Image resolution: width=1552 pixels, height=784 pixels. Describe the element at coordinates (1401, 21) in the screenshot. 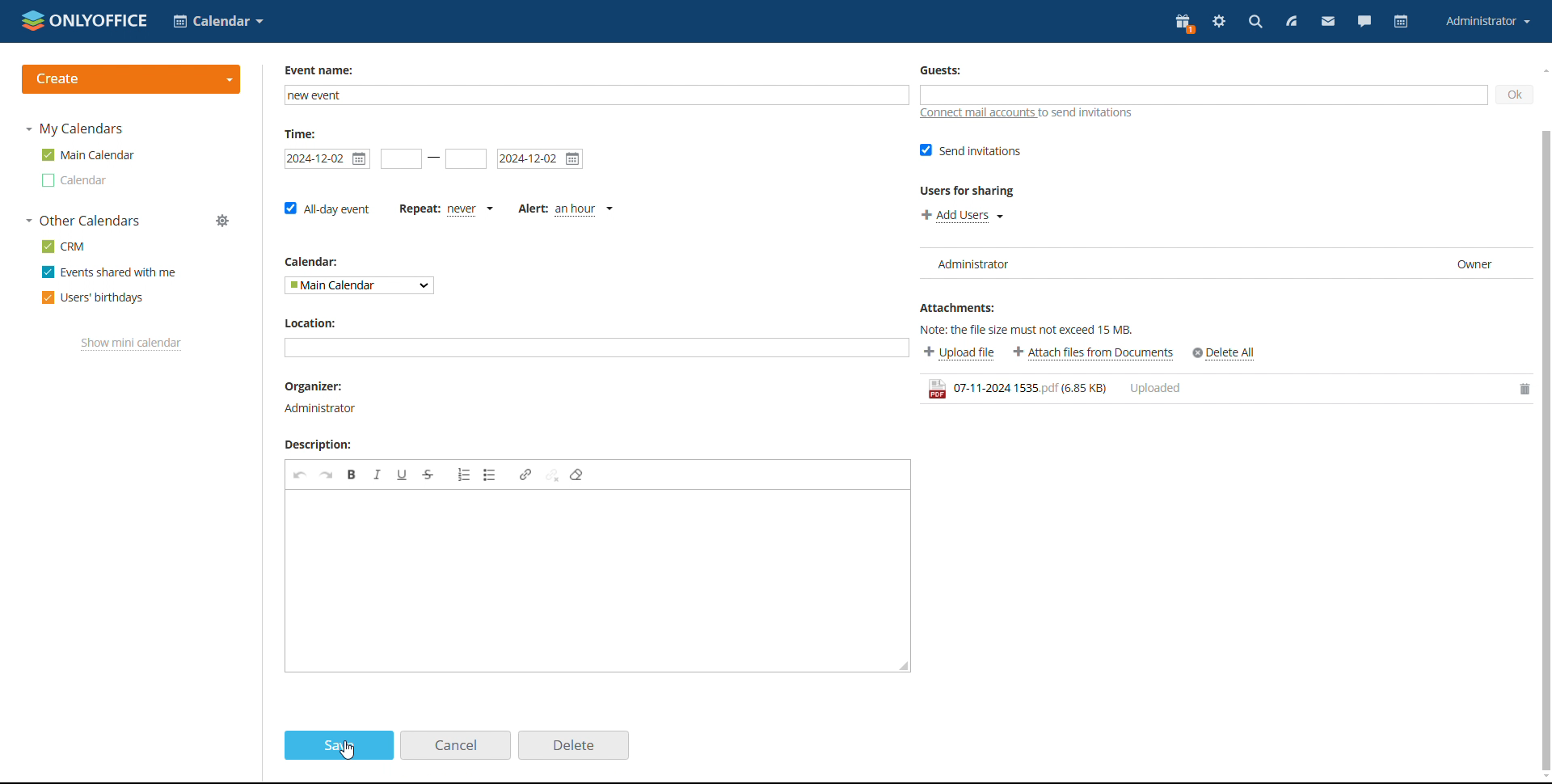

I see `calendar` at that location.